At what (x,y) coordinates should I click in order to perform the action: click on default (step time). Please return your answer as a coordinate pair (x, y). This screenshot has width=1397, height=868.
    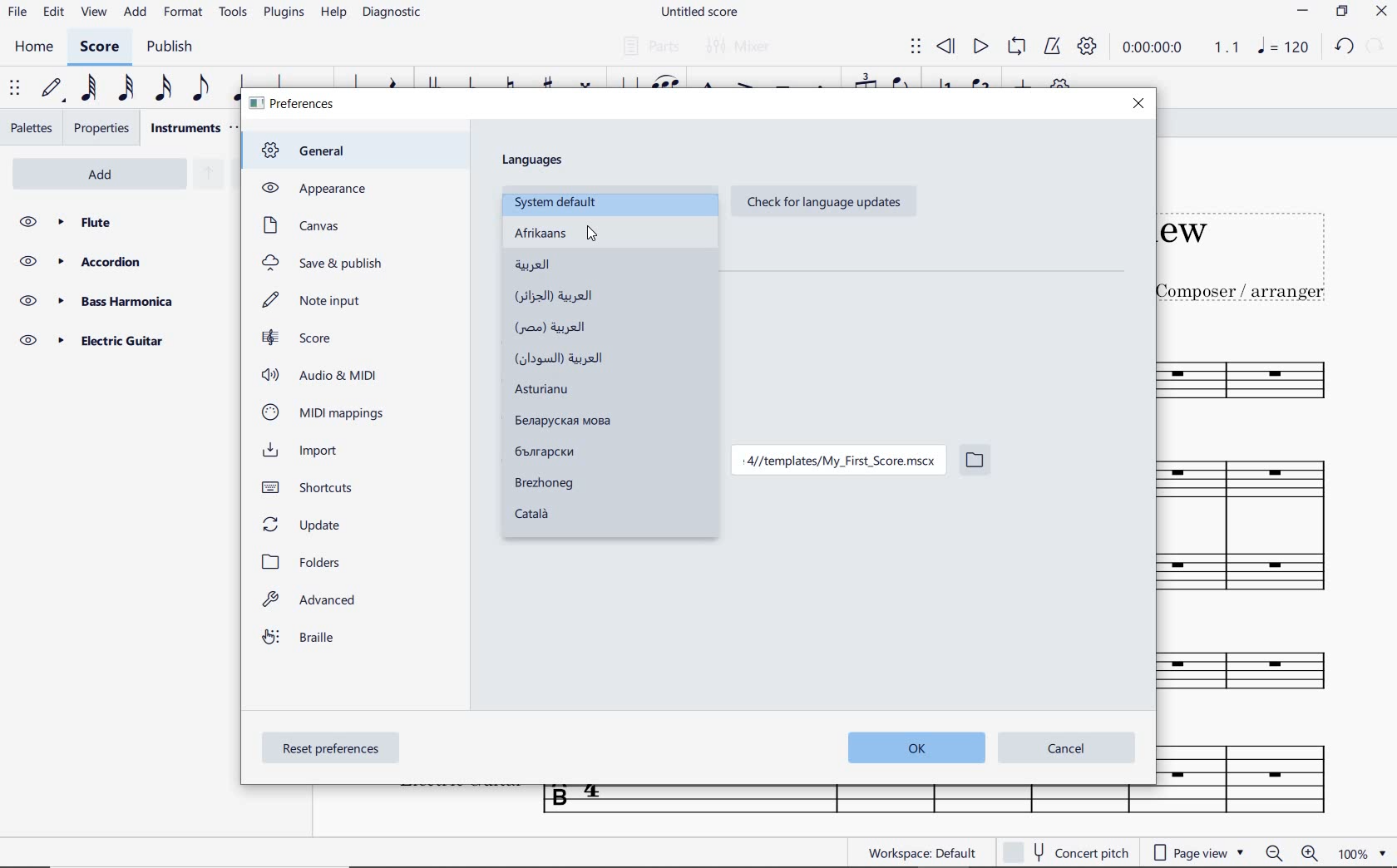
    Looking at the image, I should click on (52, 89).